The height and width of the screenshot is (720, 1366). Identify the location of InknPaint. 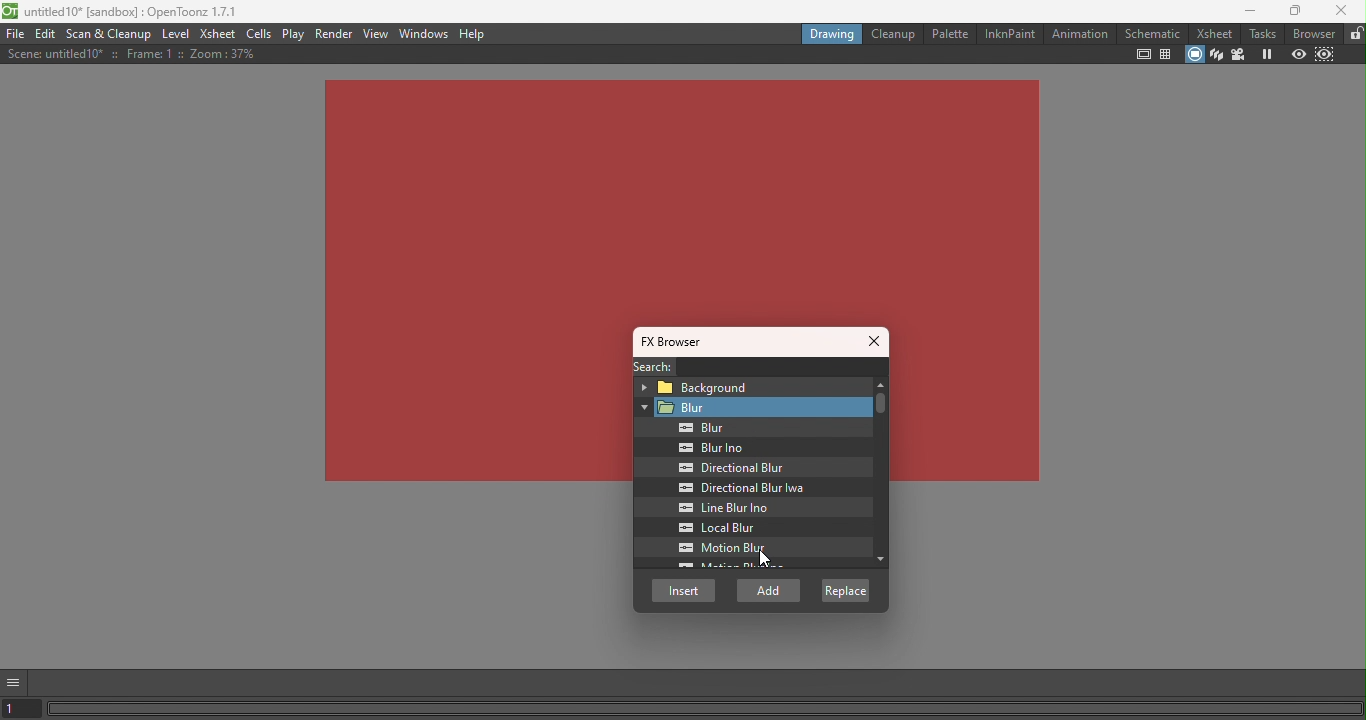
(1010, 33).